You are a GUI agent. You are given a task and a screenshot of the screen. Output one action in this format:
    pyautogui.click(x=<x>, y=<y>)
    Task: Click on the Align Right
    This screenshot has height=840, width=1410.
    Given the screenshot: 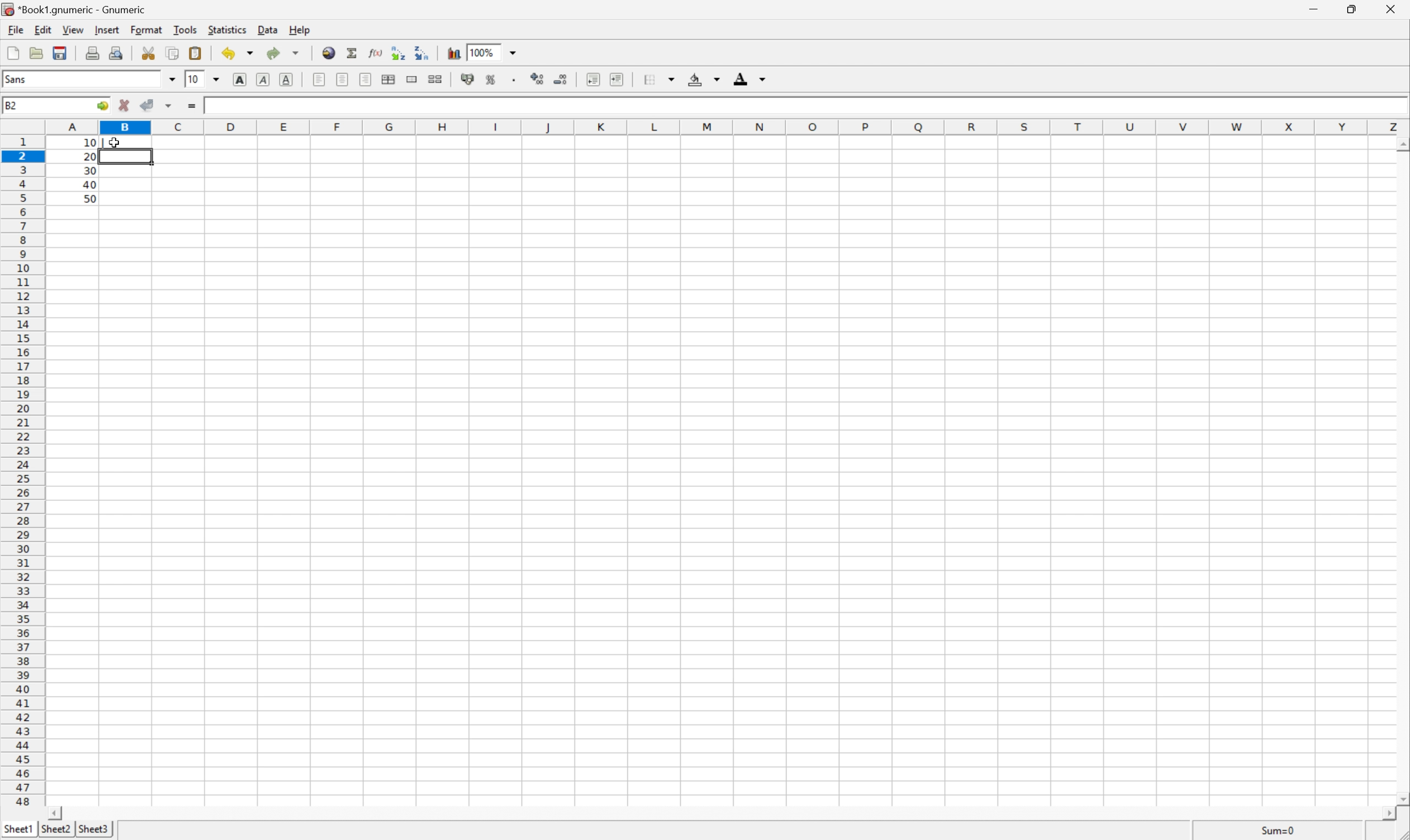 What is the action you would take?
    pyautogui.click(x=366, y=79)
    